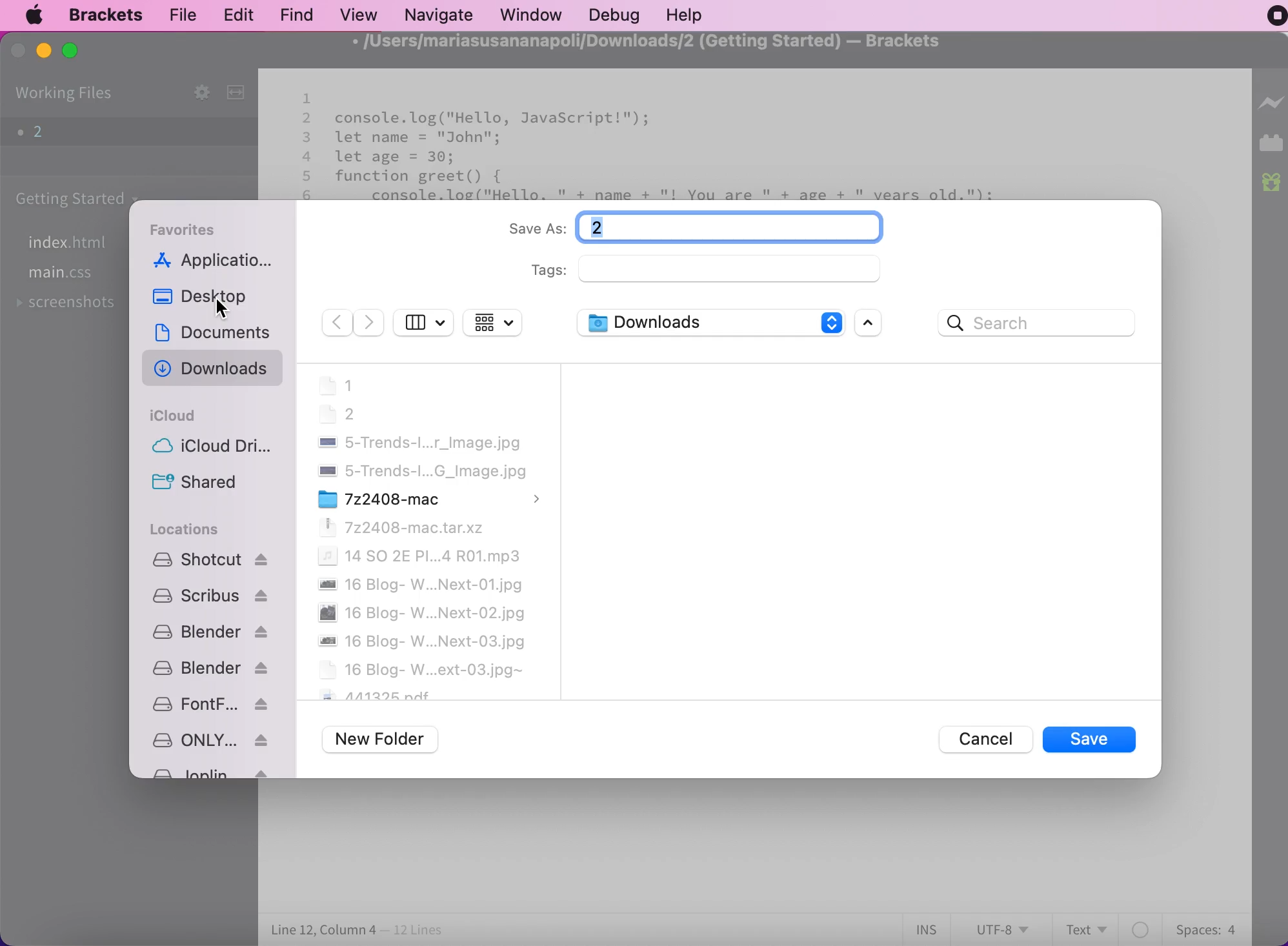  Describe the element at coordinates (307, 156) in the screenshot. I see `4` at that location.